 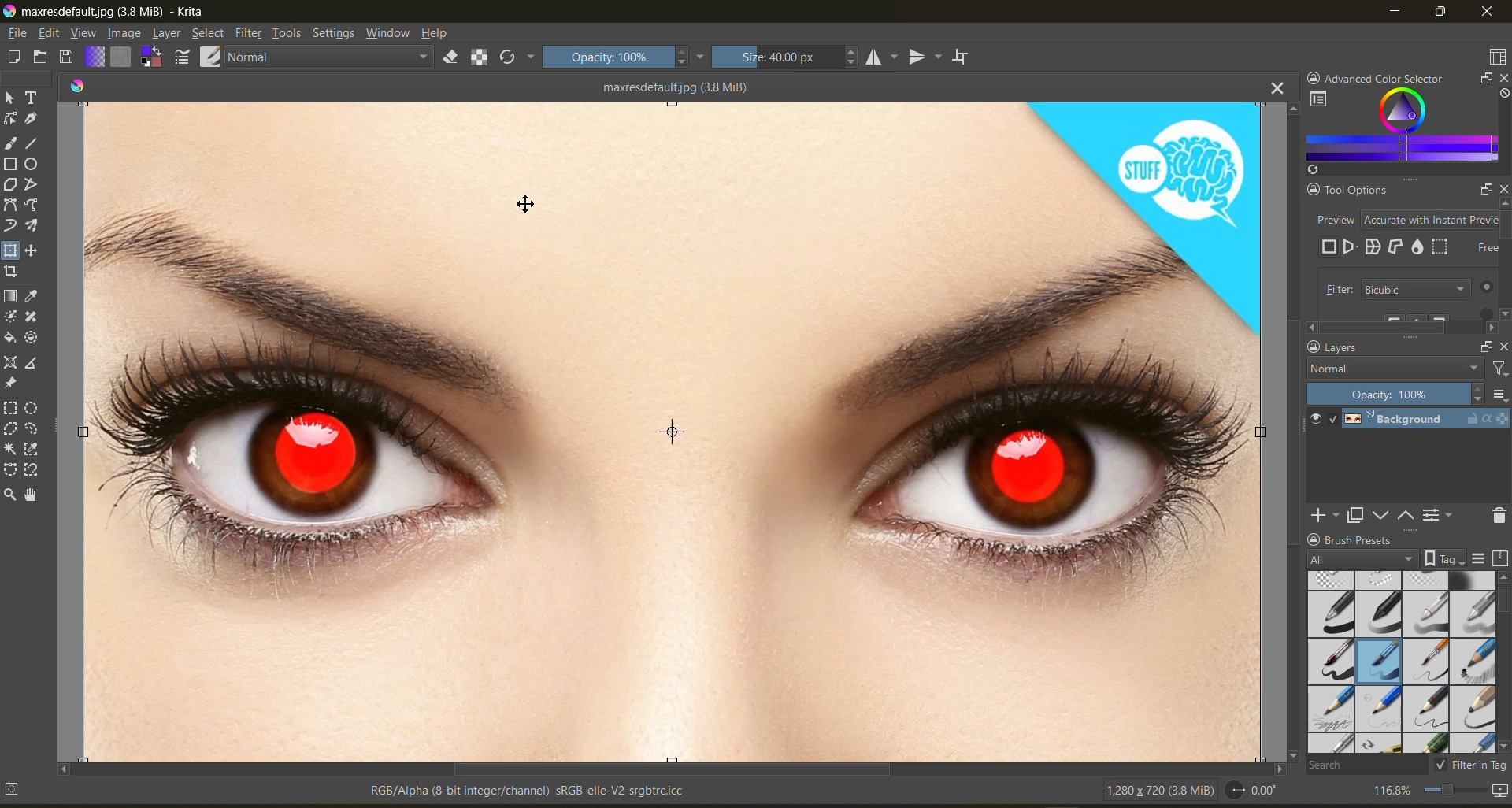 What do you see at coordinates (439, 34) in the screenshot?
I see `help` at bounding box center [439, 34].